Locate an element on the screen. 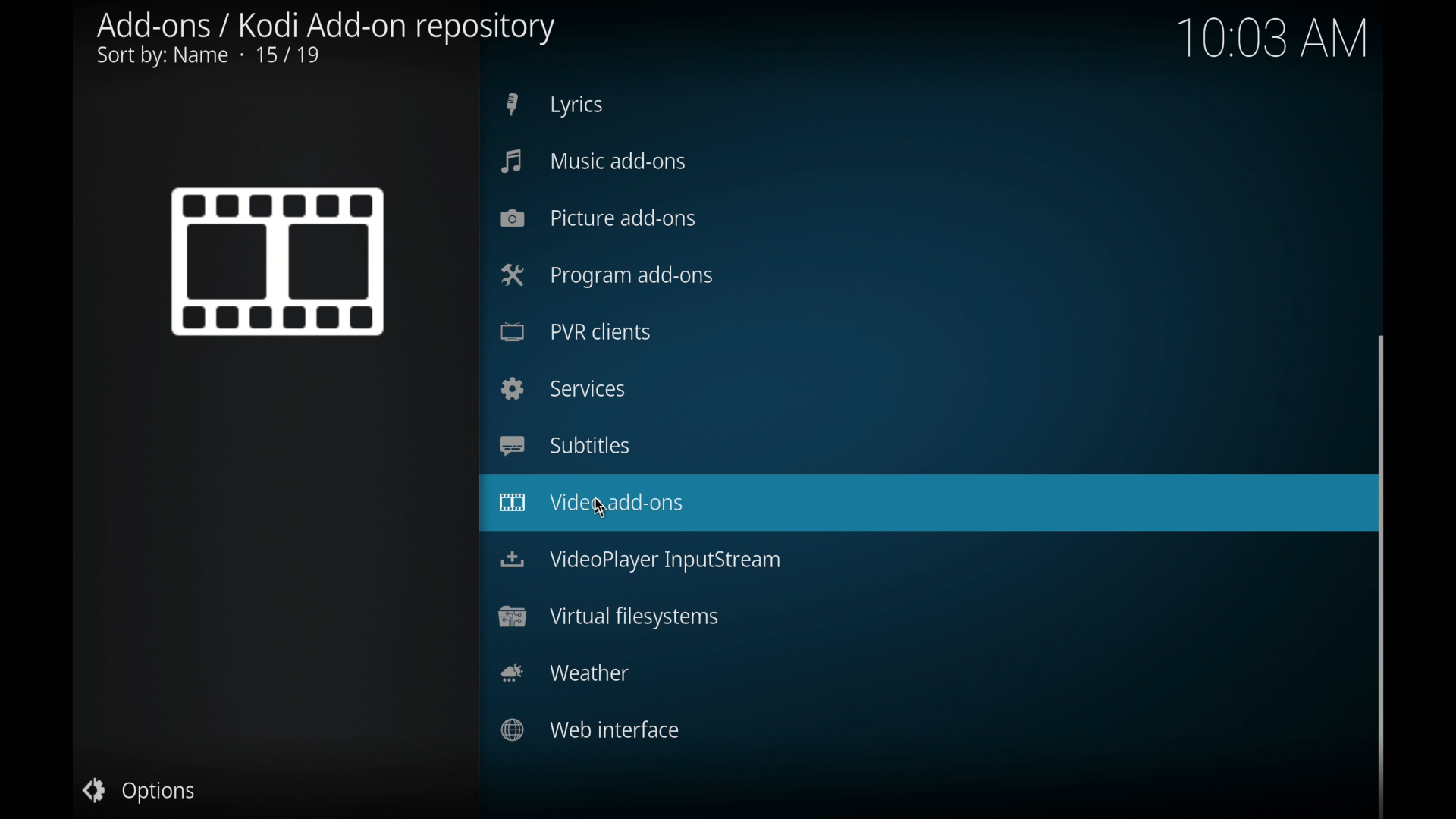  program add-ons is located at coordinates (607, 275).